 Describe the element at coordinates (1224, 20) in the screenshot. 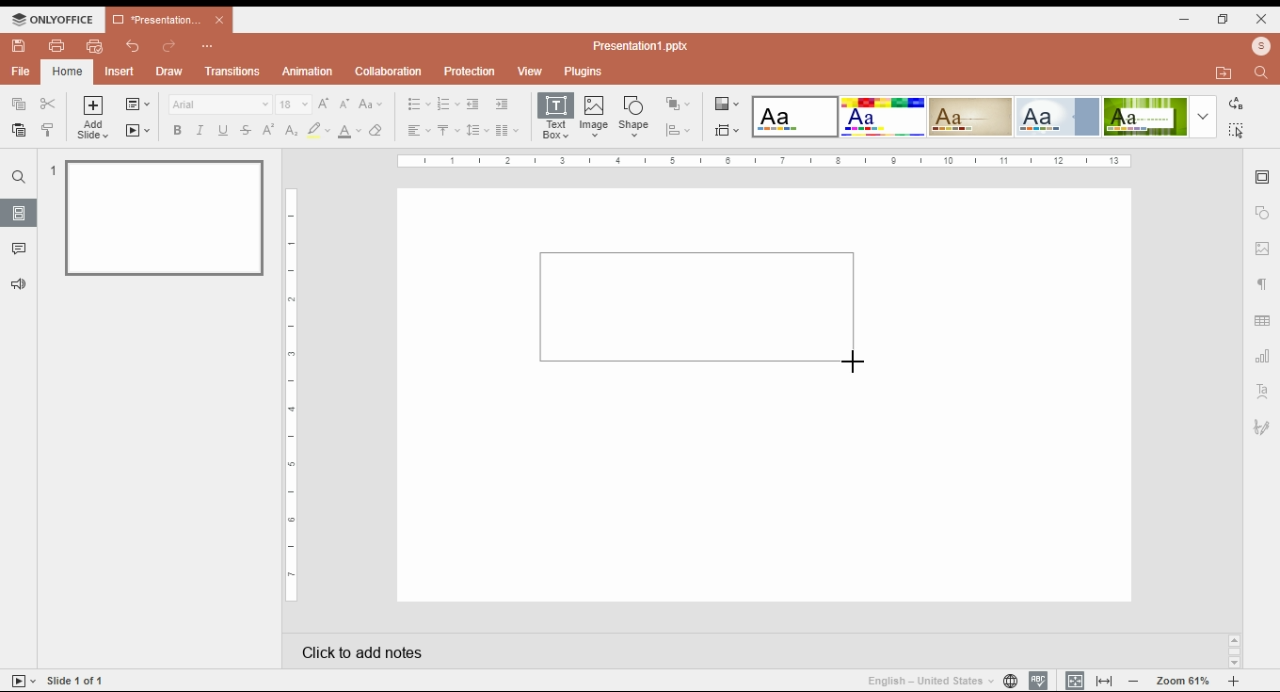

I see `restore` at that location.